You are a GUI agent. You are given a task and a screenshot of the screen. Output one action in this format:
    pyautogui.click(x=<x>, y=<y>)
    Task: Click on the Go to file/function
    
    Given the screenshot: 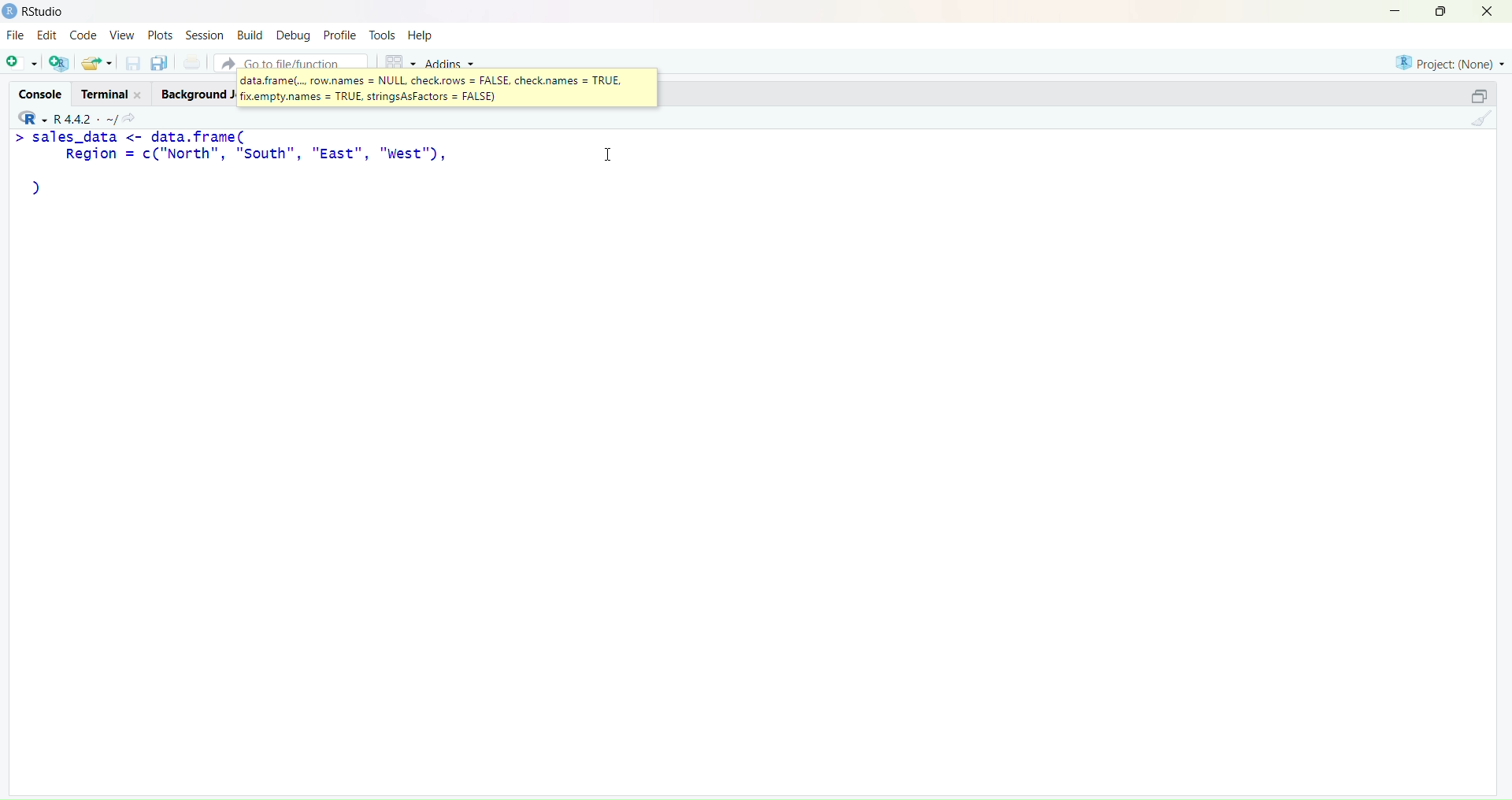 What is the action you would take?
    pyautogui.click(x=290, y=61)
    